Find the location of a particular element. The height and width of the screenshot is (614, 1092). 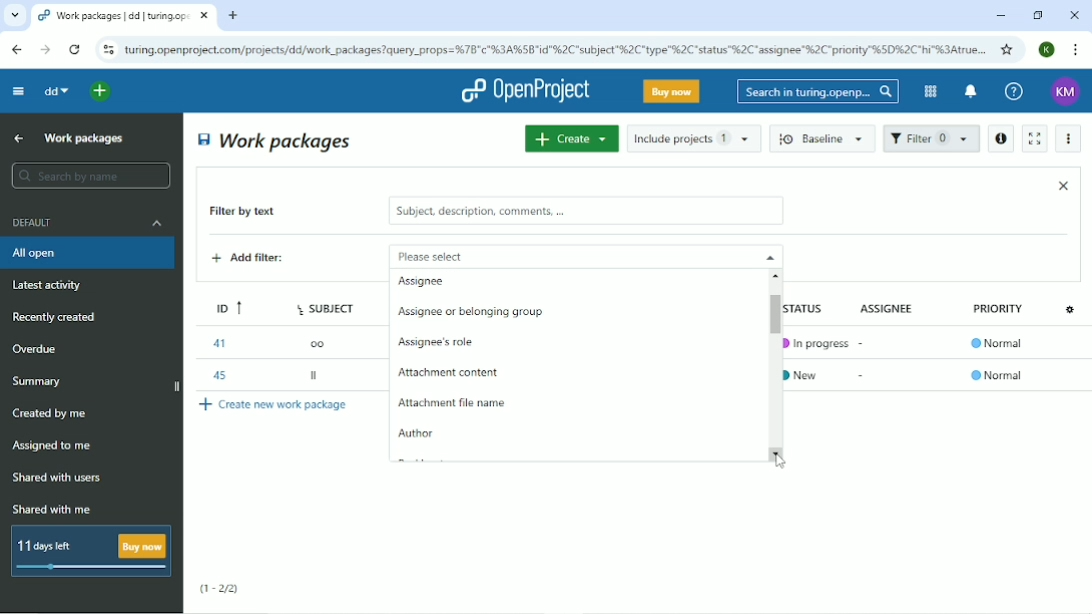

Reload this page is located at coordinates (74, 49).